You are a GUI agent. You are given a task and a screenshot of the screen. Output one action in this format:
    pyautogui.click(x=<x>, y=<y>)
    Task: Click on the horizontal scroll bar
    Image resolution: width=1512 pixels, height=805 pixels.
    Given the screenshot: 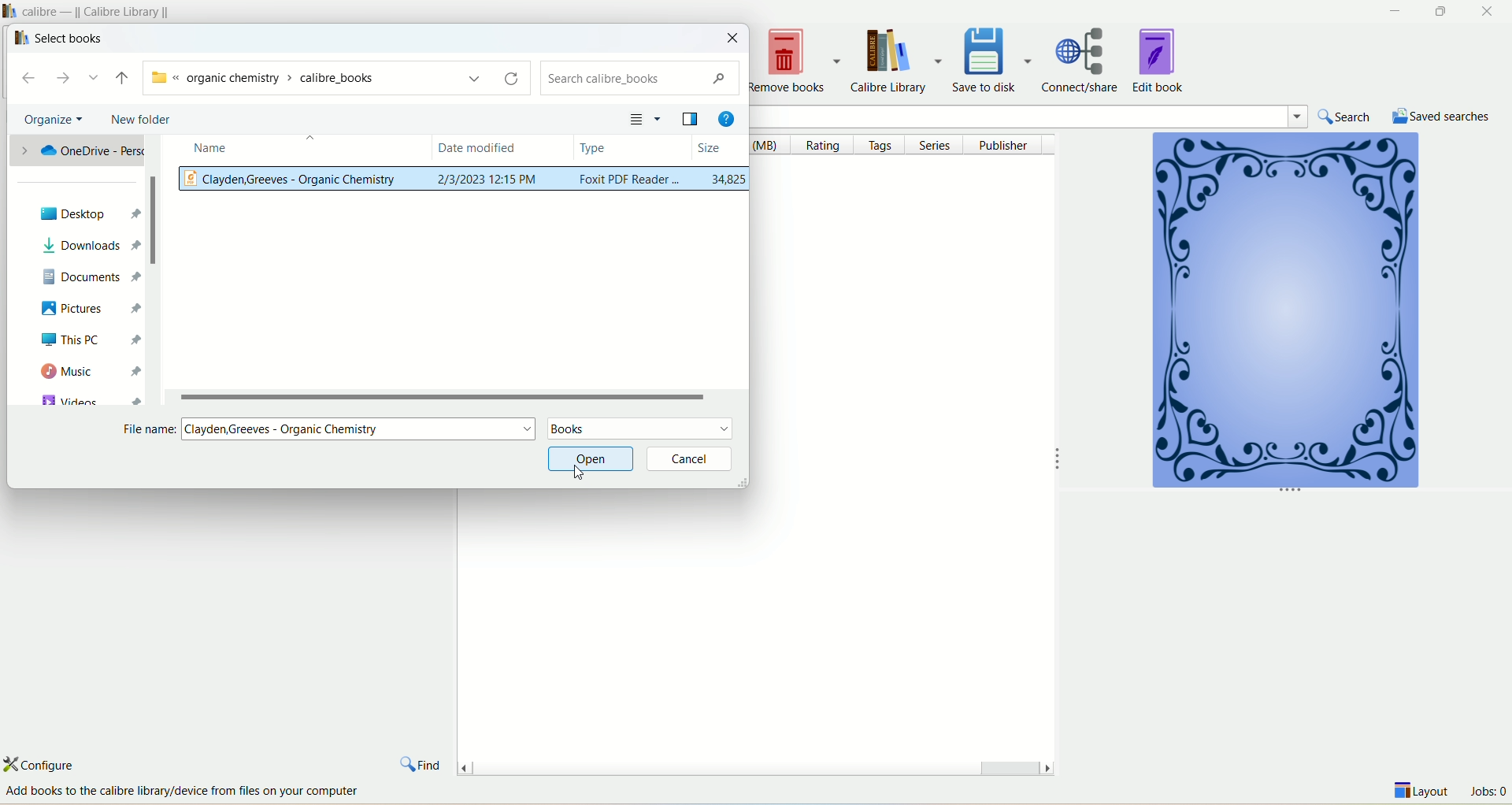 What is the action you would take?
    pyautogui.click(x=754, y=764)
    